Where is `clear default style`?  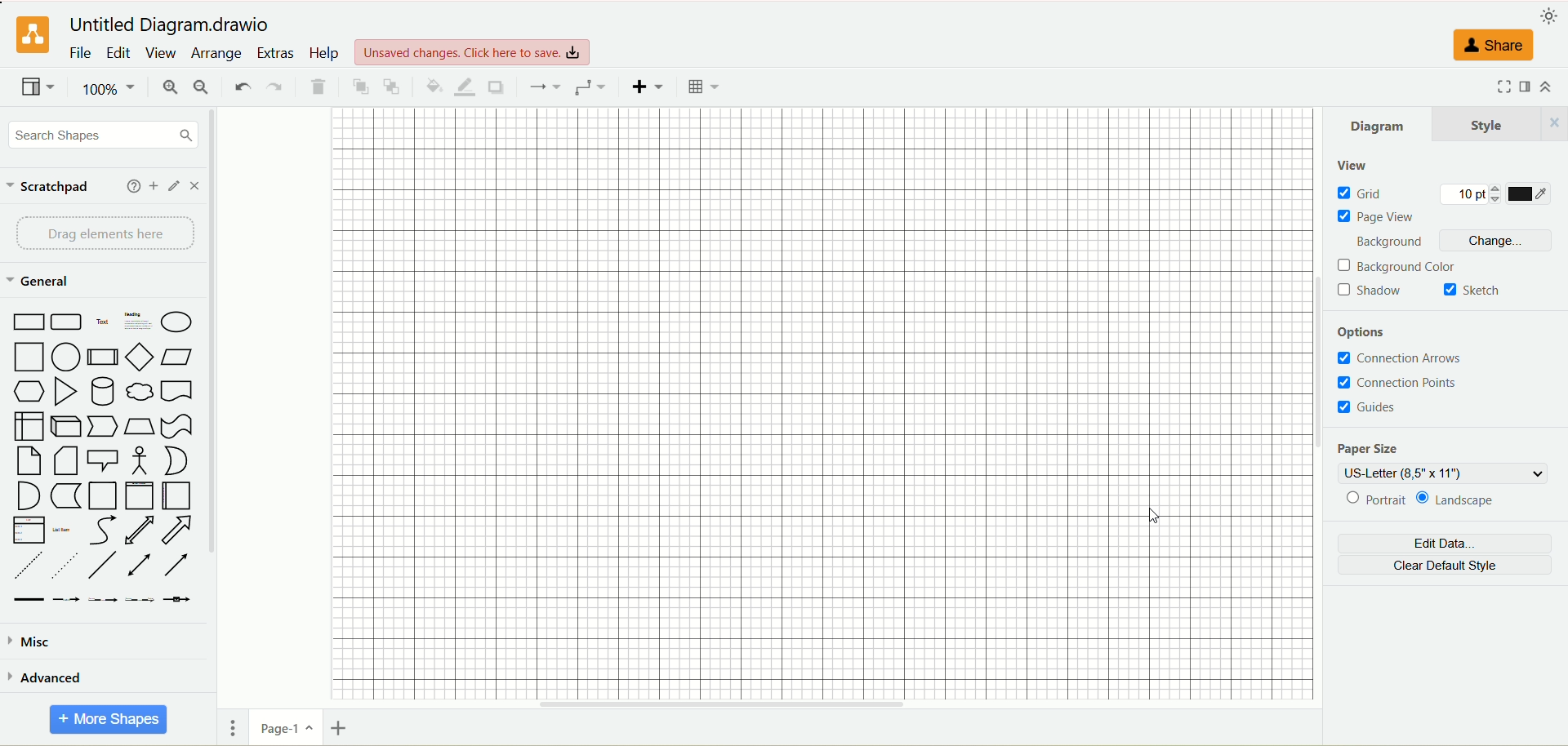 clear default style is located at coordinates (1452, 566).